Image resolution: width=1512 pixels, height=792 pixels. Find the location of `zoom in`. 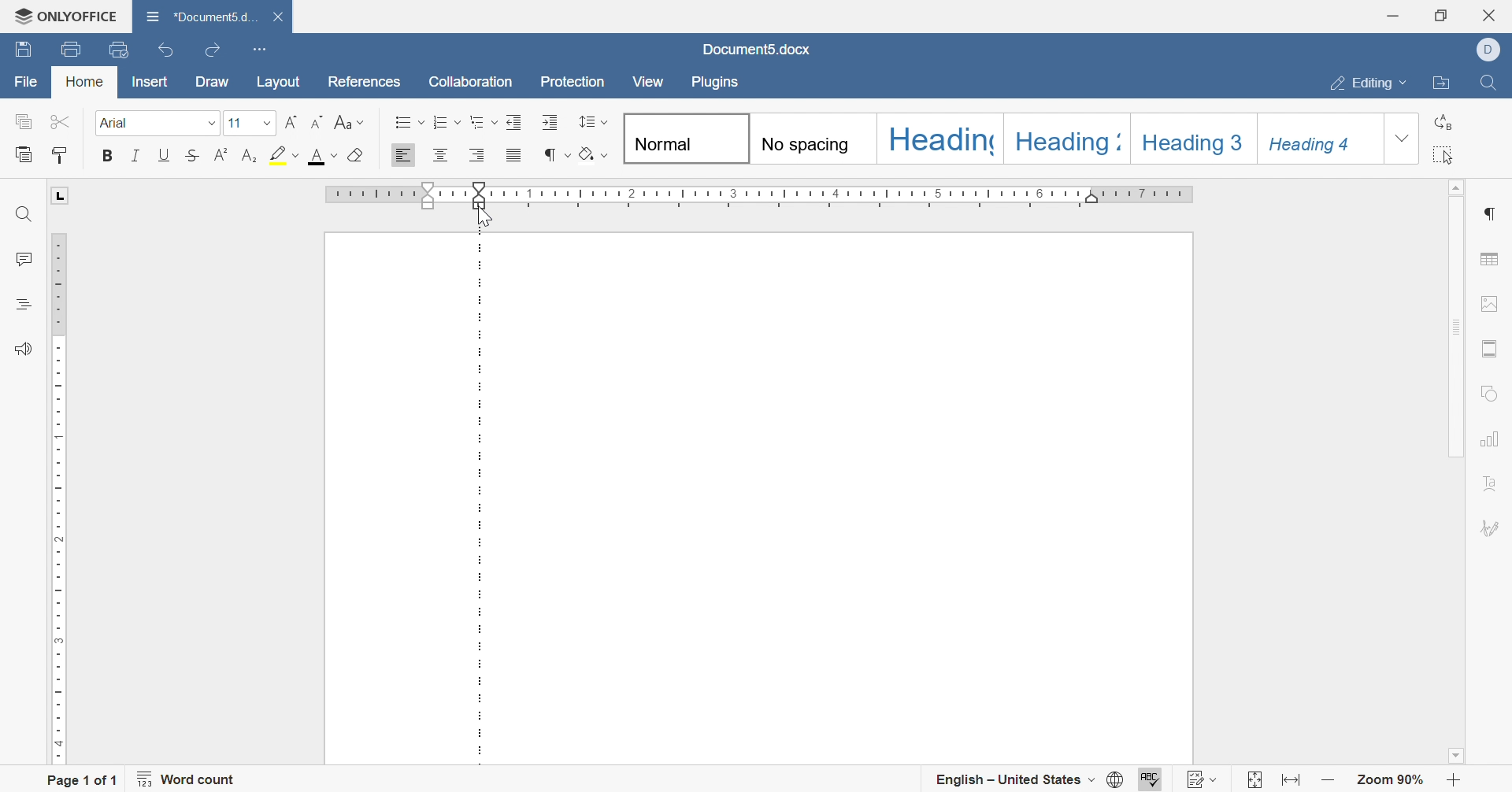

zoom in is located at coordinates (1454, 781).